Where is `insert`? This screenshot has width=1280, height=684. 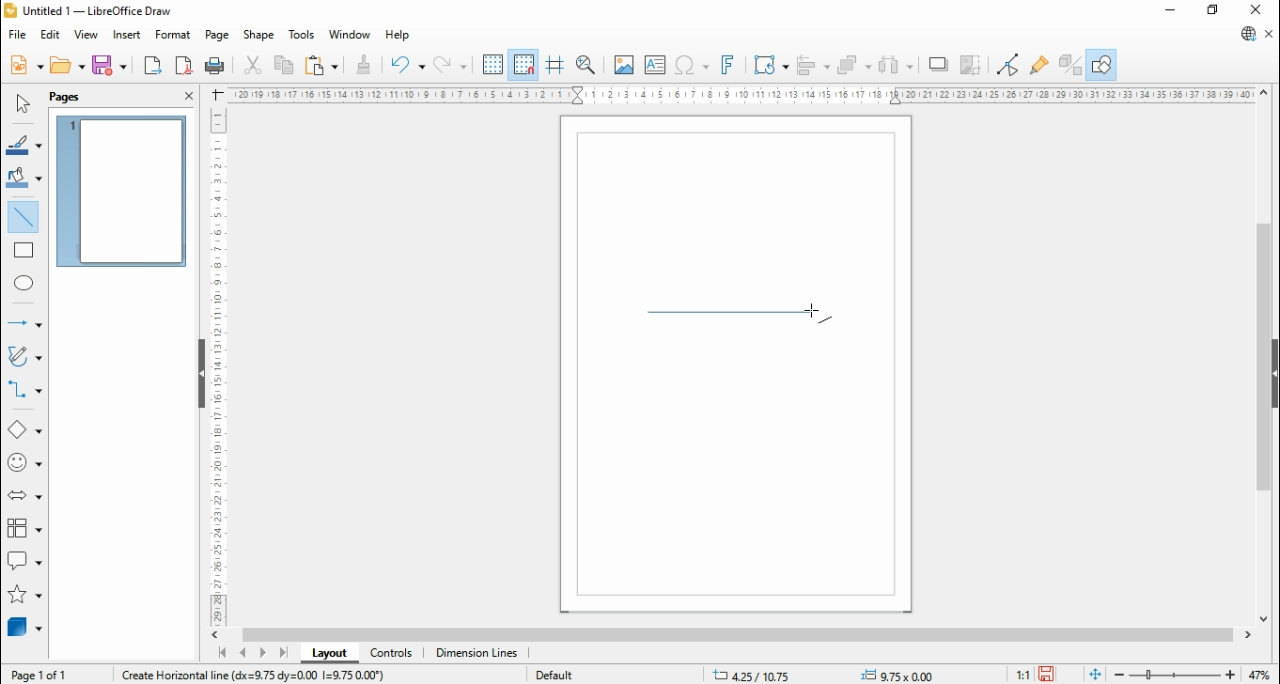
insert is located at coordinates (126, 35).